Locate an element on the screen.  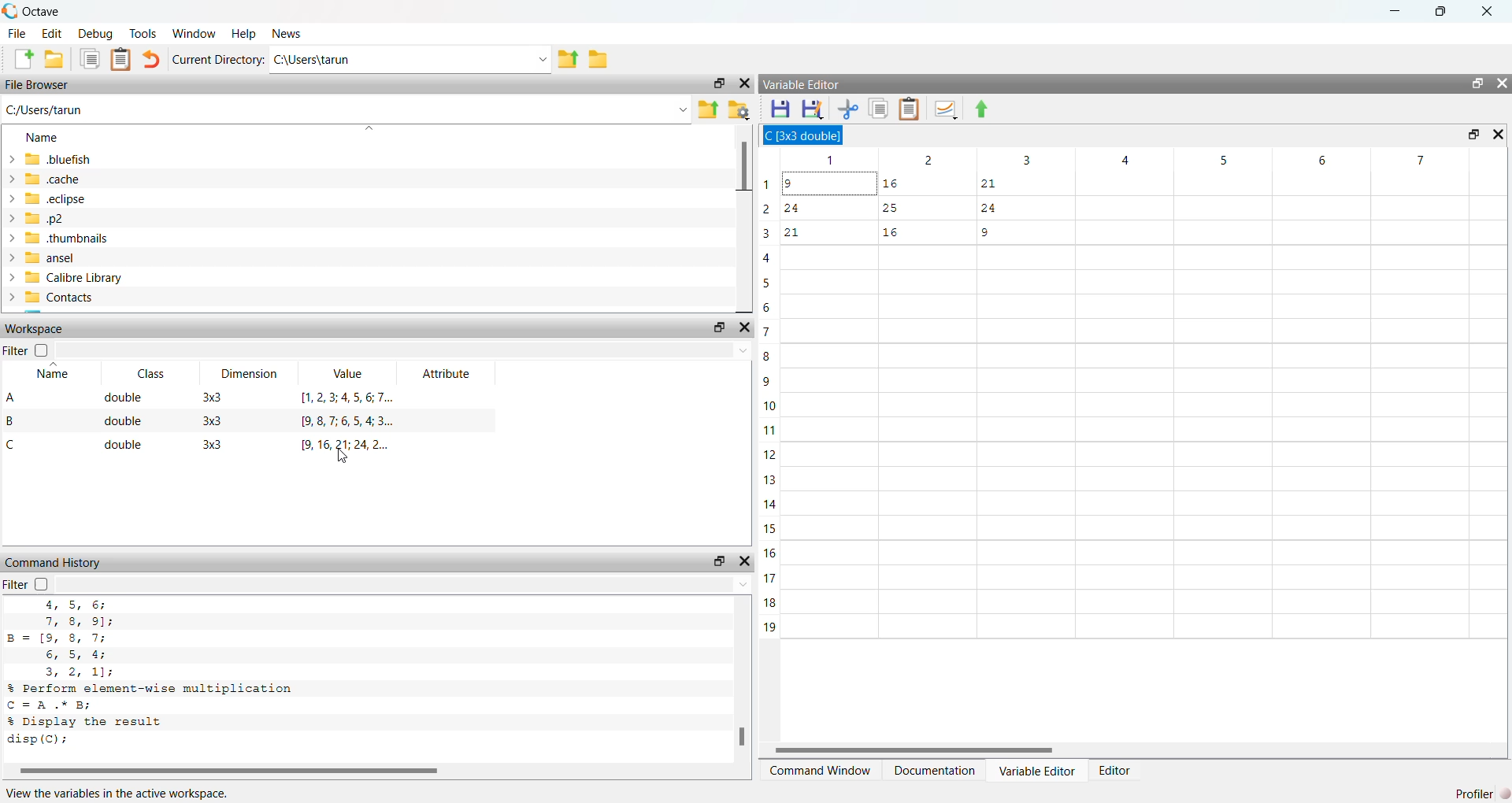
Restore Down is located at coordinates (1443, 12).